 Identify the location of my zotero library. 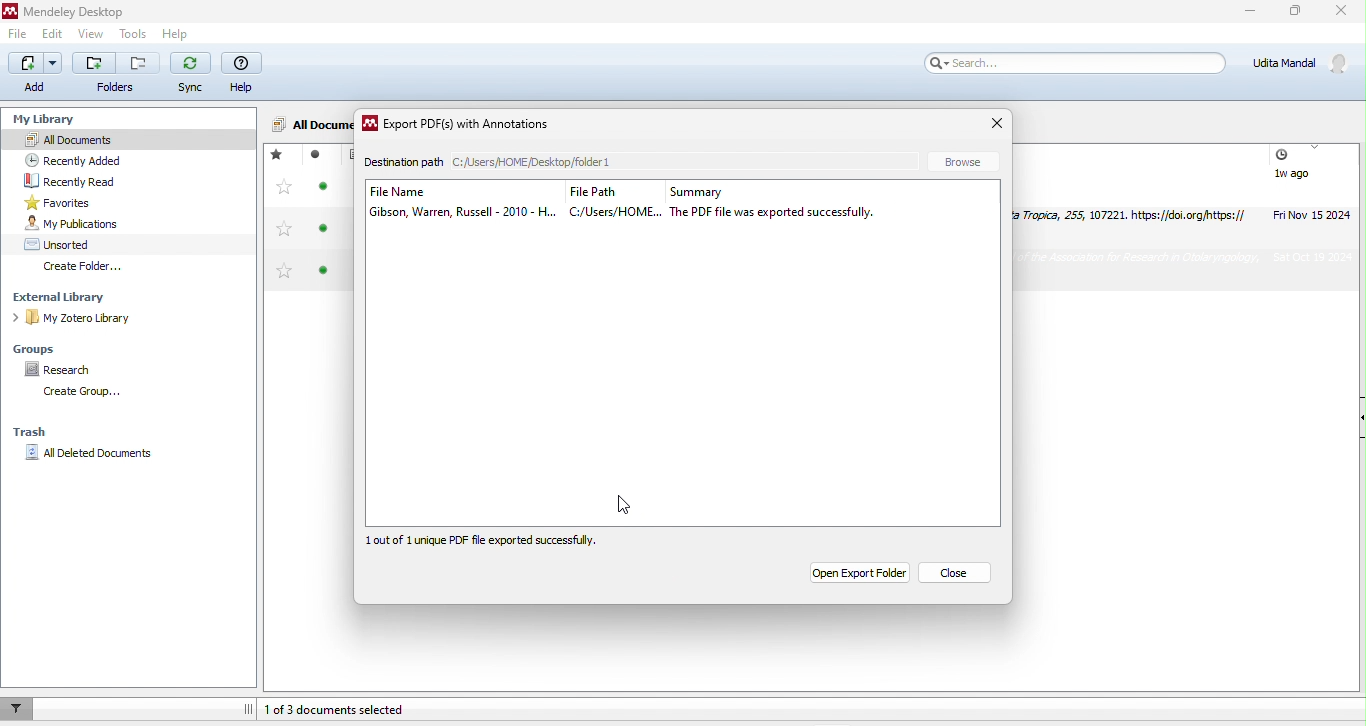
(76, 319).